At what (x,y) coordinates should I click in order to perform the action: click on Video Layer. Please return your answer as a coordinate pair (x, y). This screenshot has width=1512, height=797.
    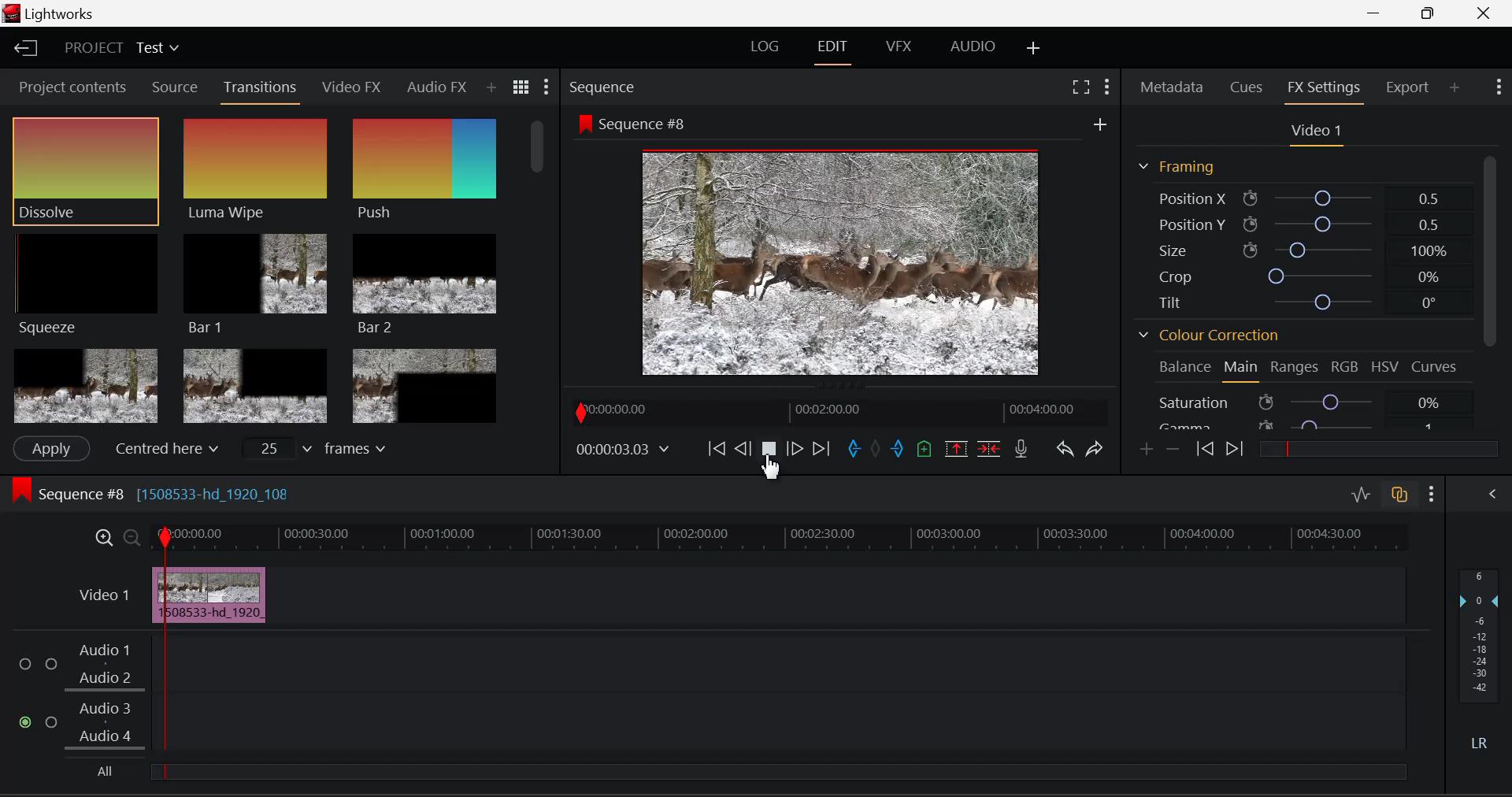
    Looking at the image, I should click on (104, 595).